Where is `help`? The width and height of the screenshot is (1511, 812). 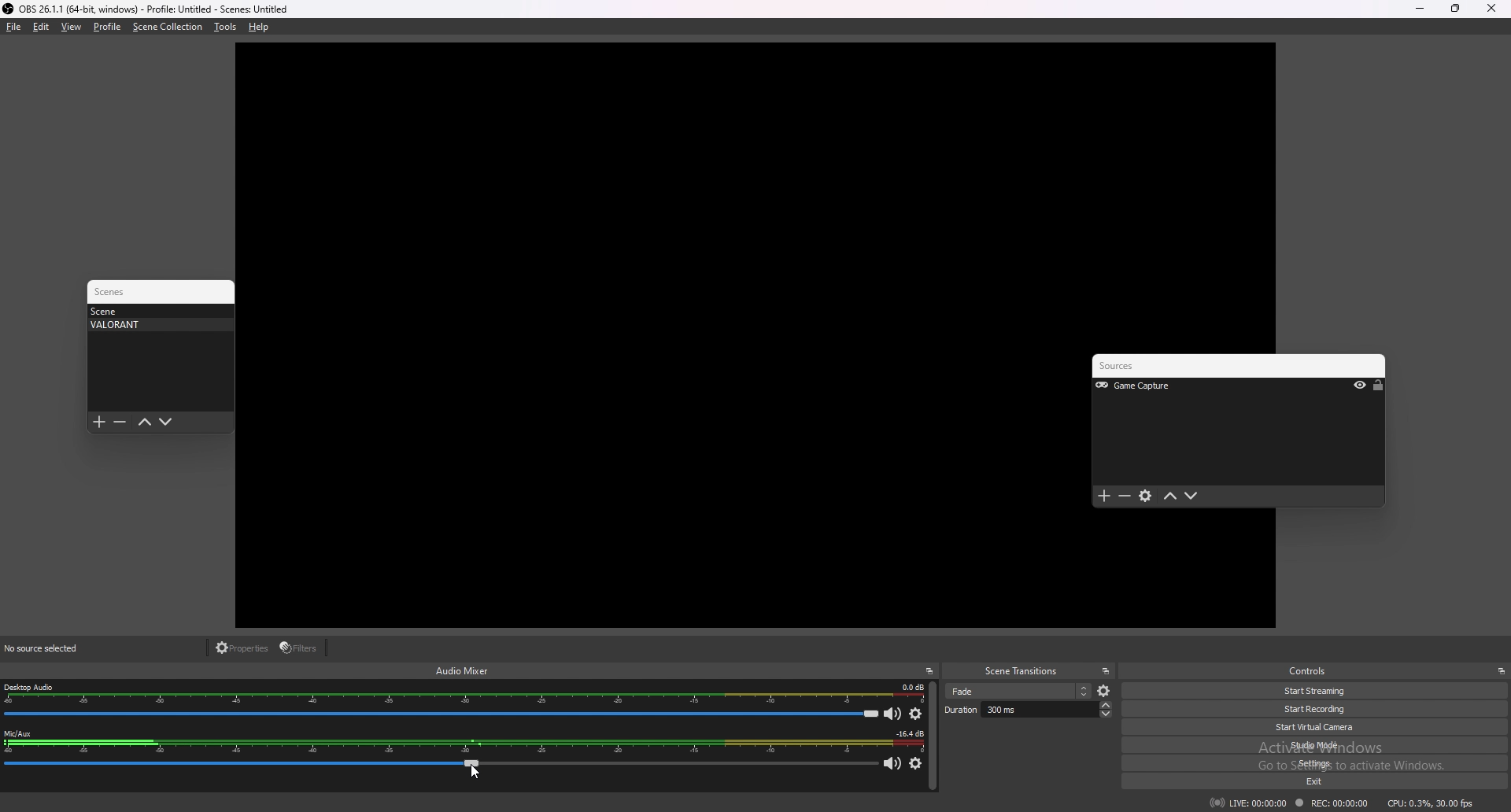 help is located at coordinates (259, 27).